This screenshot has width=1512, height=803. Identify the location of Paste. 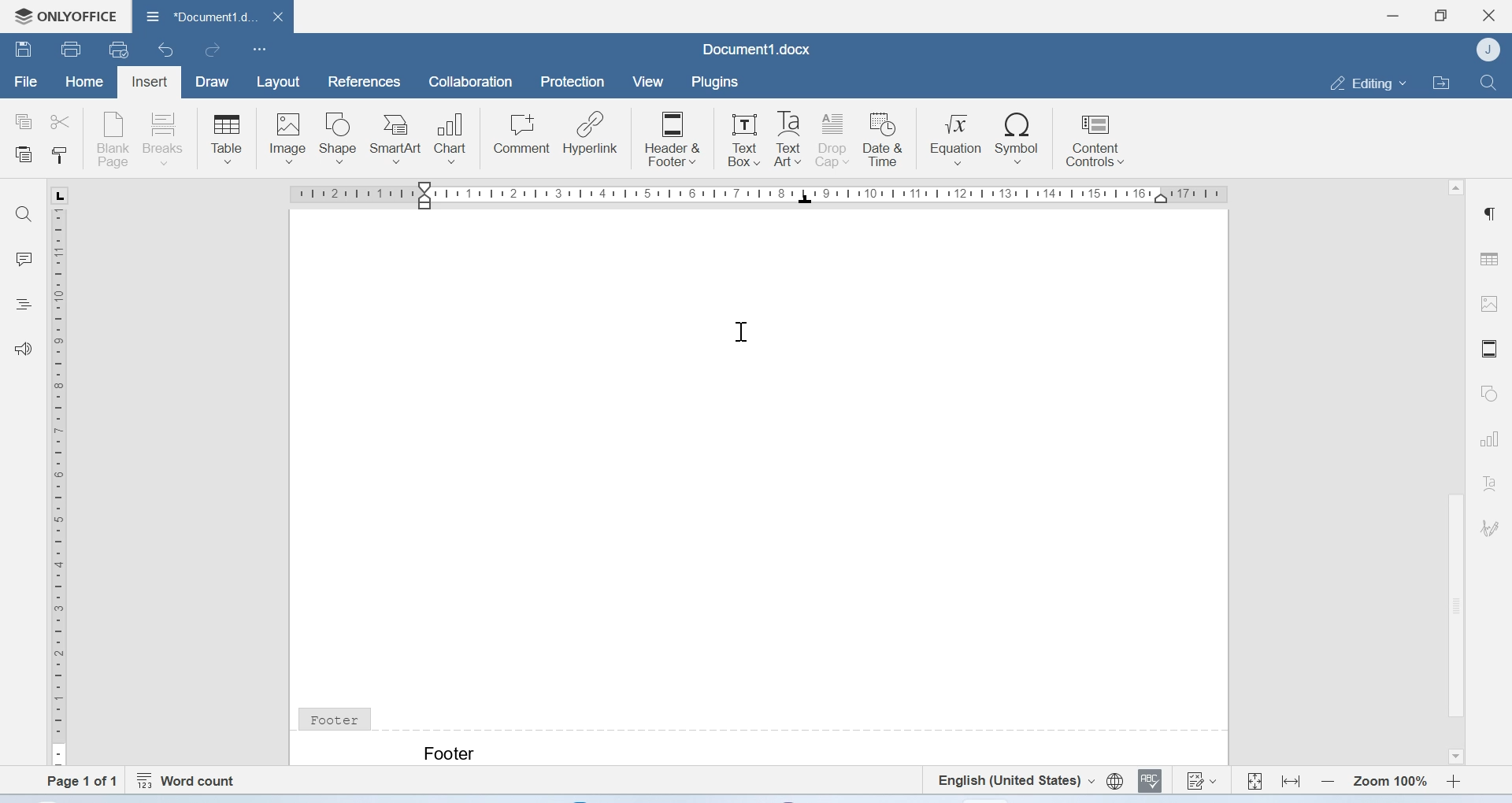
(24, 156).